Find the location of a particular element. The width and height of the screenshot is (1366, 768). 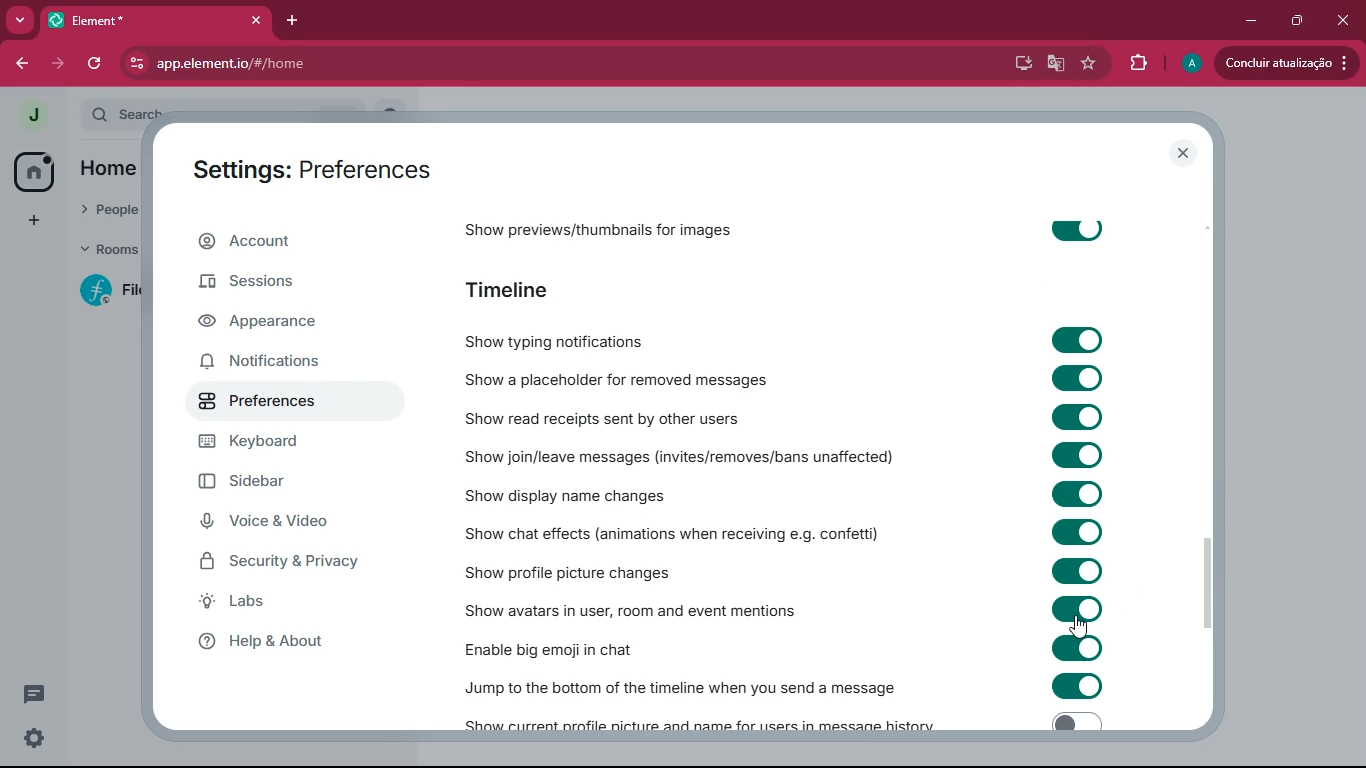

cursor on toggle on is located at coordinates (1079, 626).